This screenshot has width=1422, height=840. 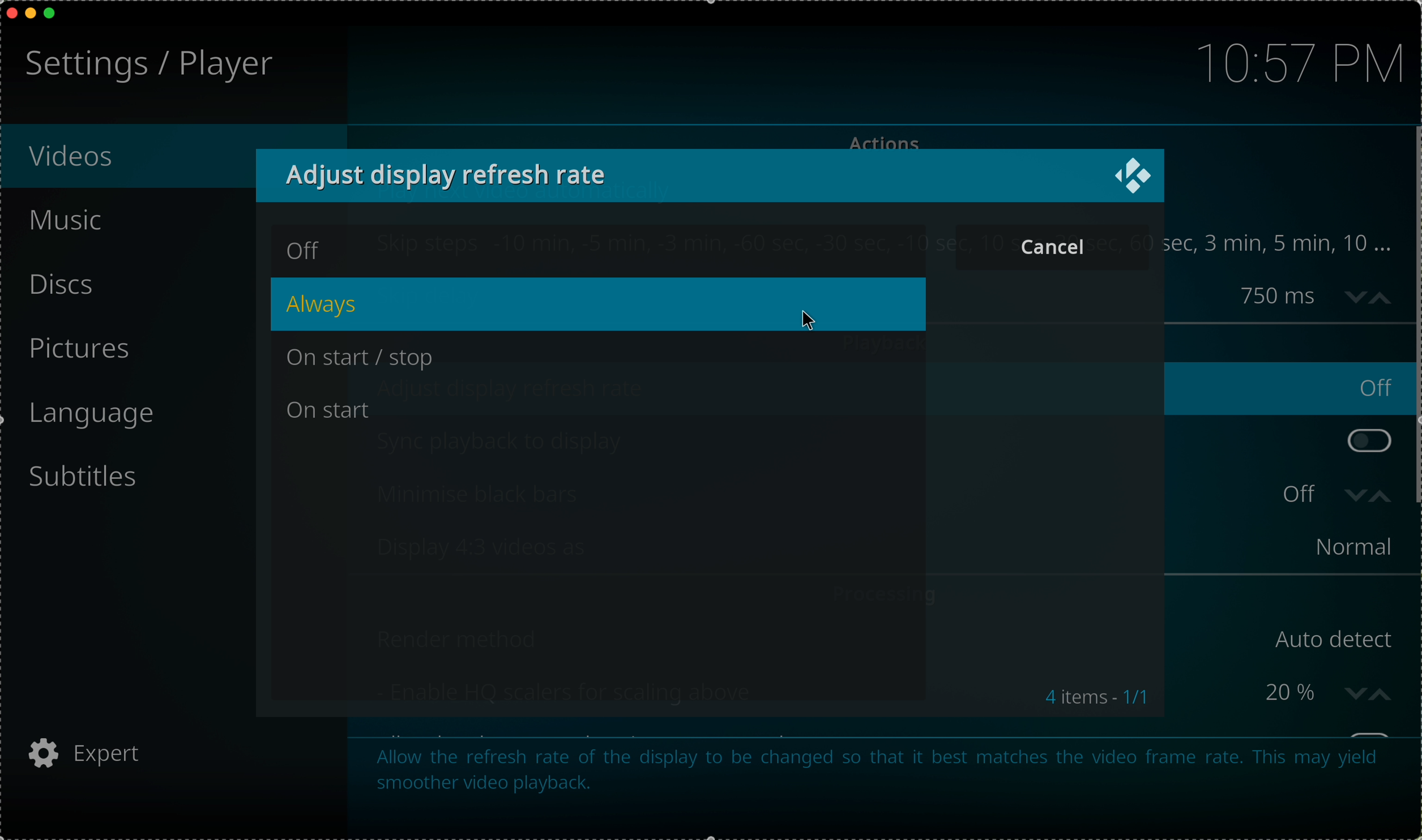 What do you see at coordinates (55, 14) in the screenshot?
I see `maximize ` at bounding box center [55, 14].